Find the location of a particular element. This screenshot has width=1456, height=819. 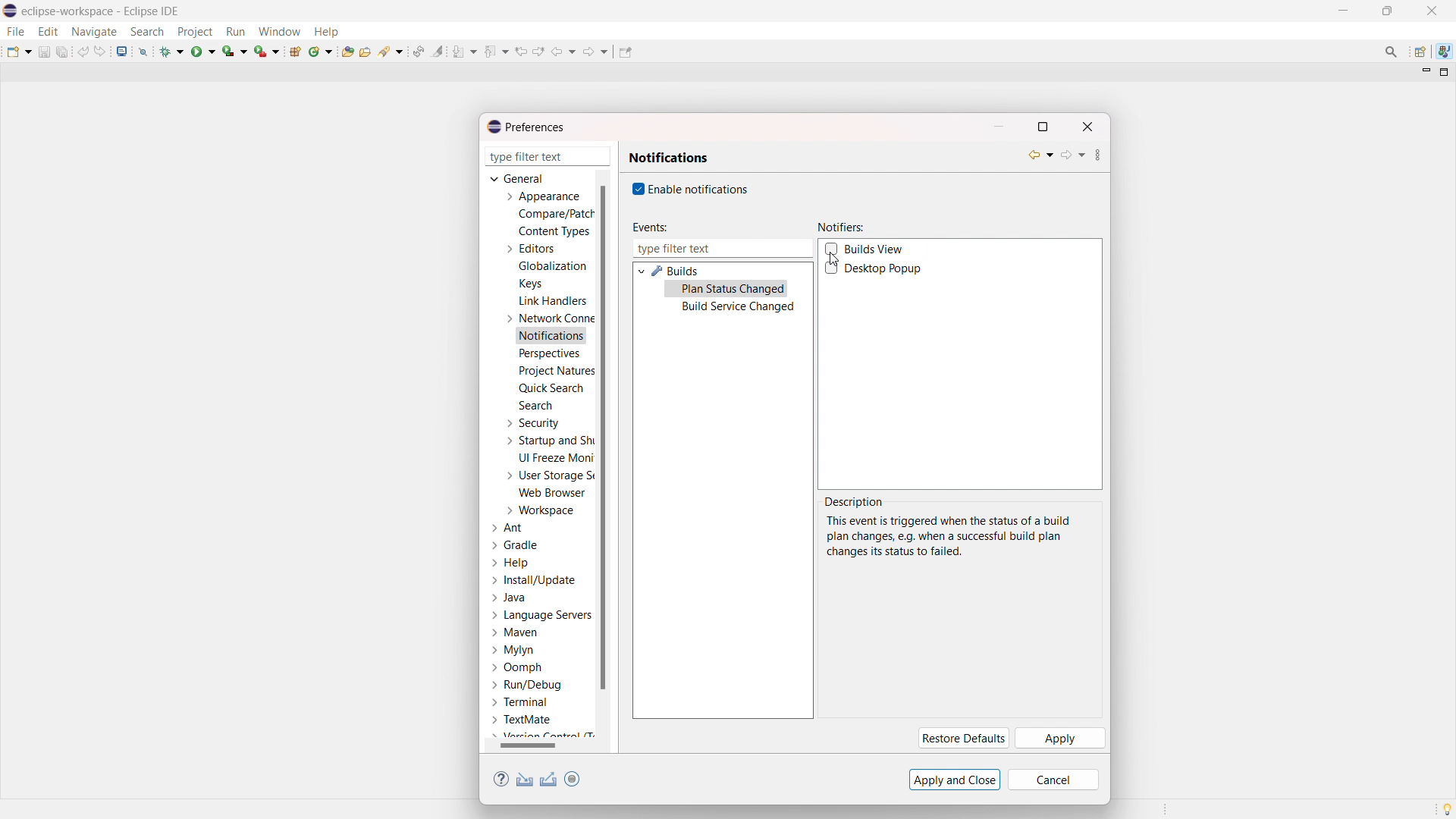

restore defaults is located at coordinates (962, 739).